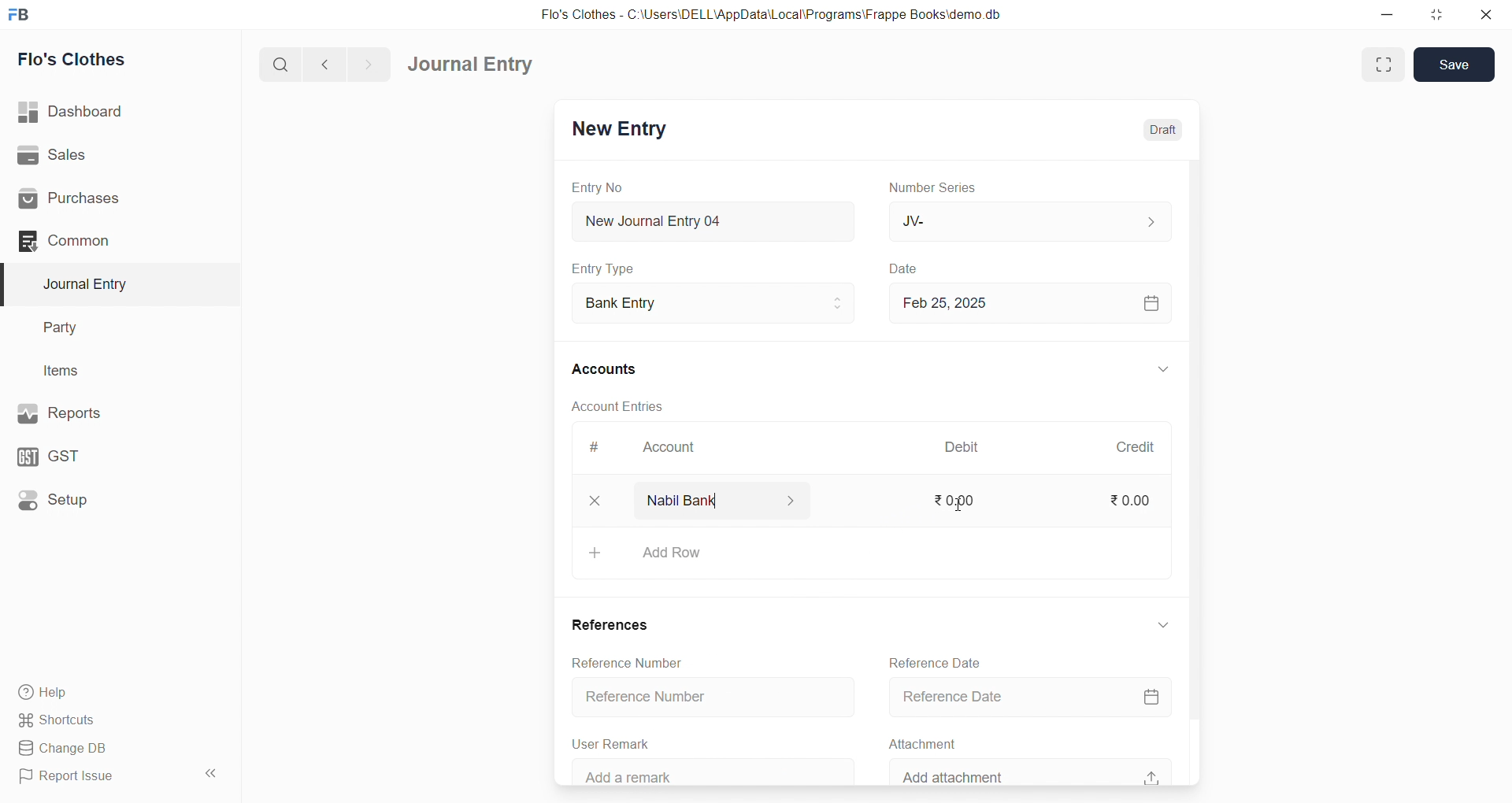 The height and width of the screenshot is (803, 1512). What do you see at coordinates (915, 742) in the screenshot?
I see `Attachment` at bounding box center [915, 742].